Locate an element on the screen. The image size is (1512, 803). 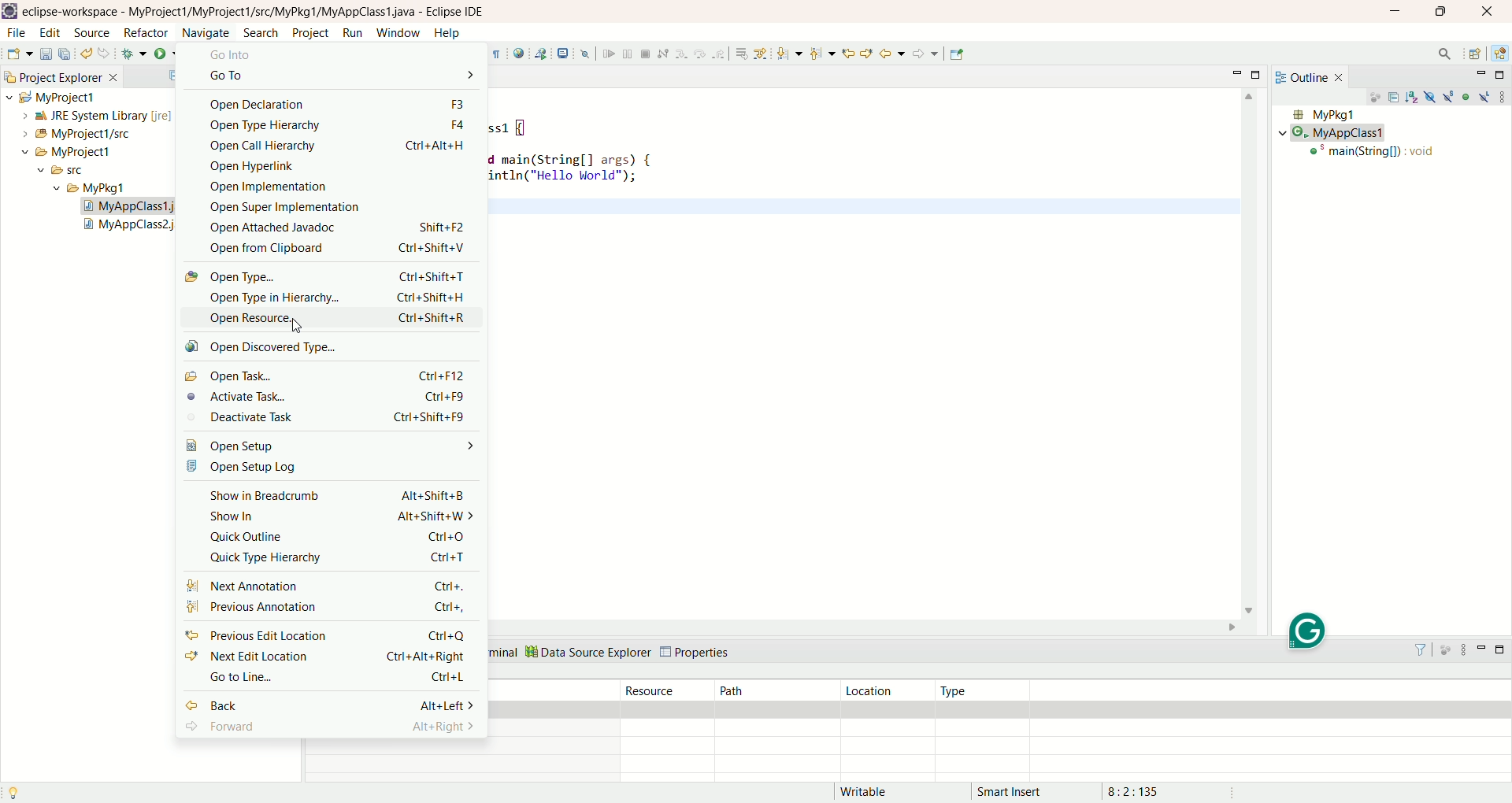
focus on active task is located at coordinates (1373, 98).